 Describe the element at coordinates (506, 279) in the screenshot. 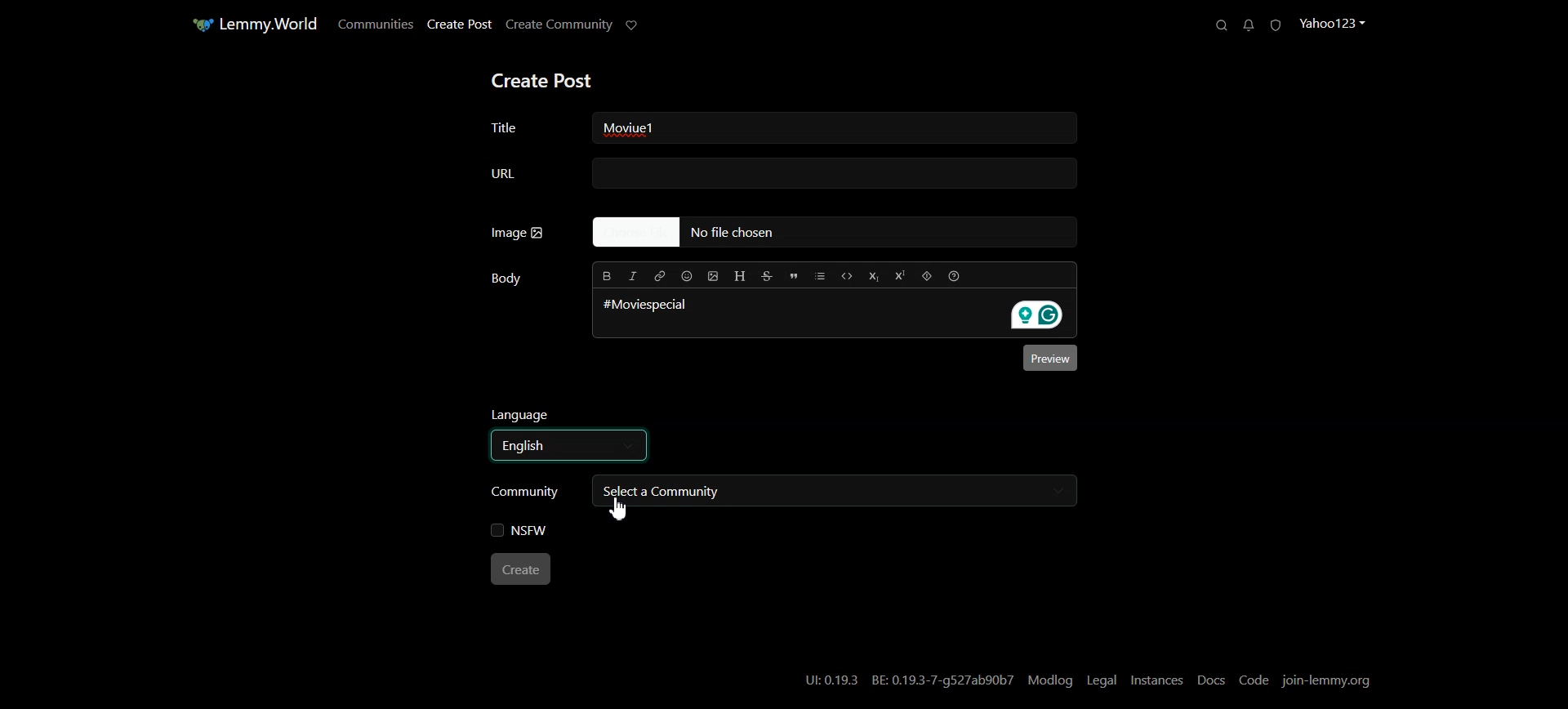

I see `Body` at that location.